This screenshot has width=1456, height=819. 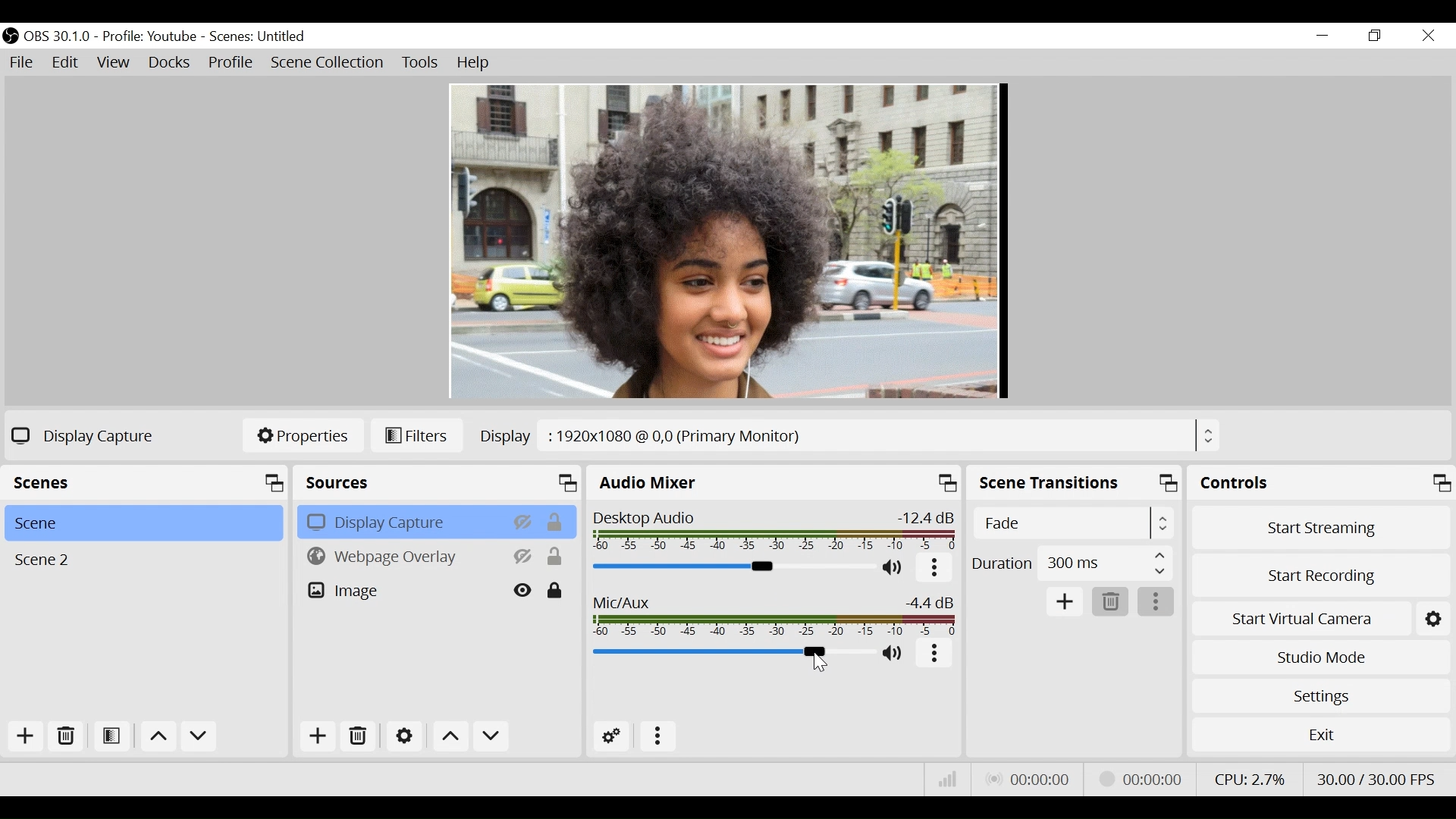 I want to click on CPU Usage, so click(x=1254, y=780).